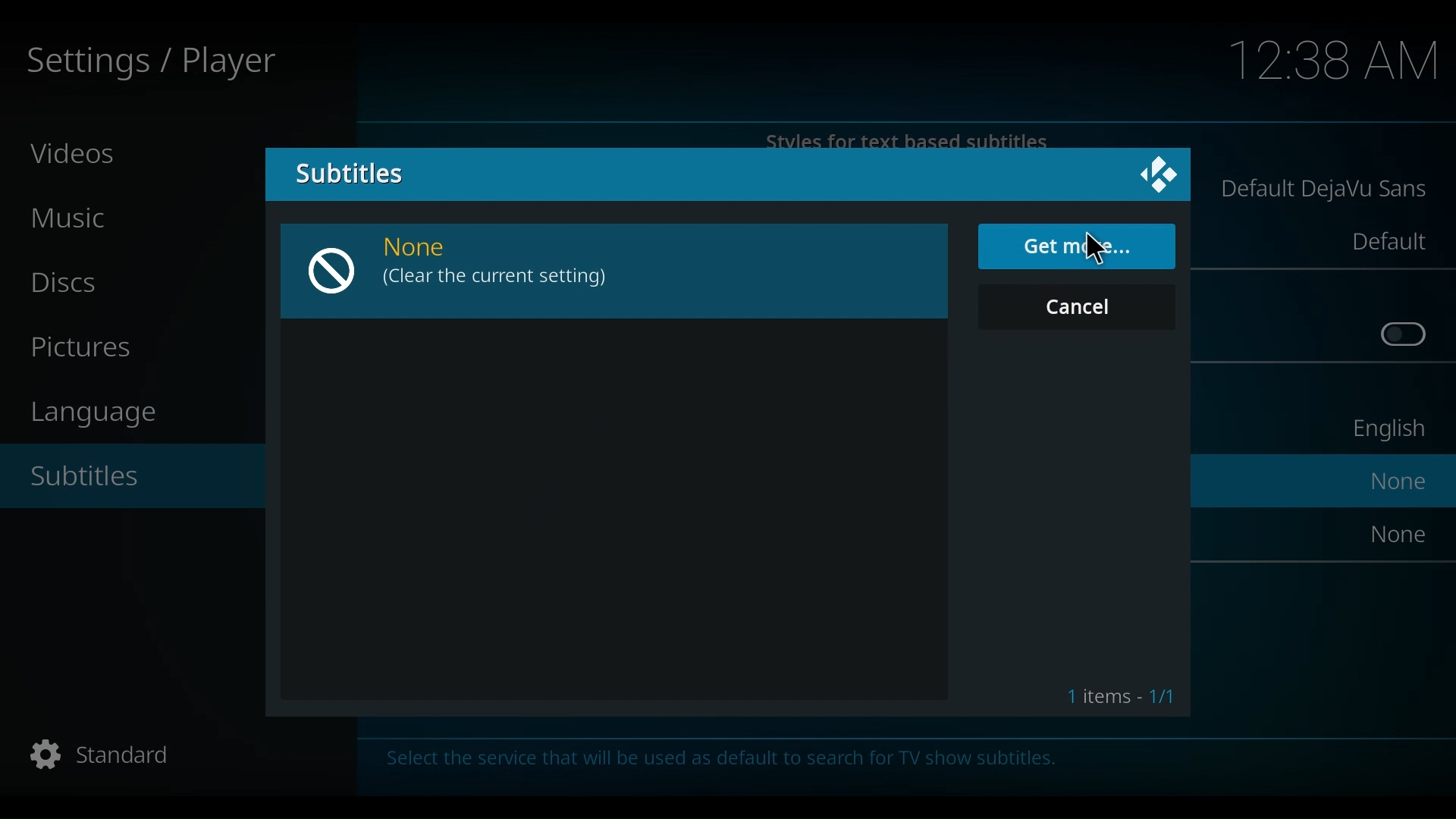  Describe the element at coordinates (1099, 250) in the screenshot. I see `Cursor` at that location.